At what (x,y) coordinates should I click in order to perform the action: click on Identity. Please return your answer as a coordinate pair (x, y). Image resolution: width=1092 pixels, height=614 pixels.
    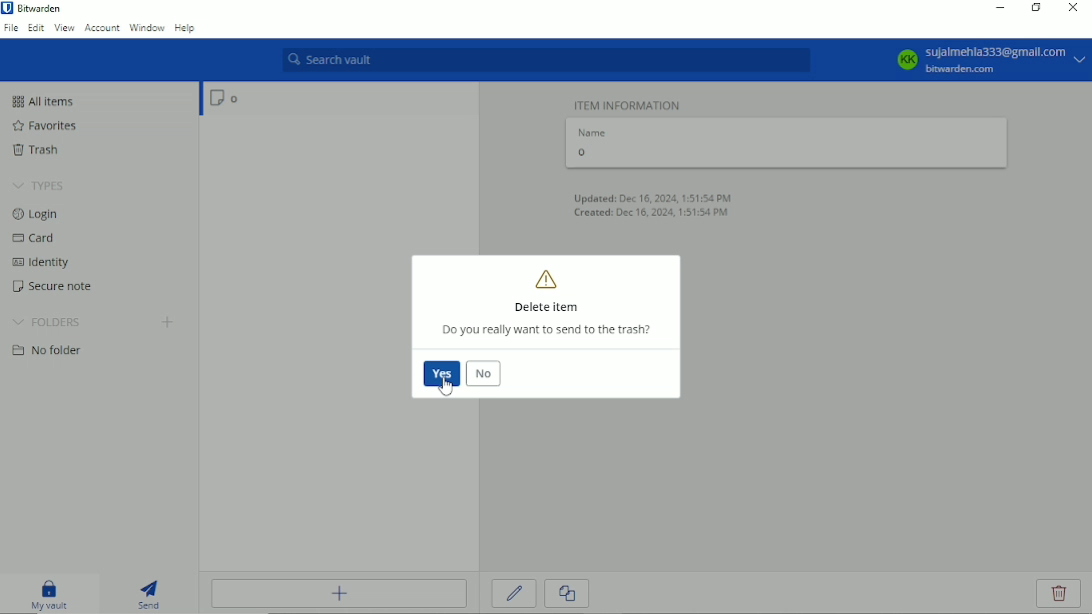
    Looking at the image, I should click on (42, 262).